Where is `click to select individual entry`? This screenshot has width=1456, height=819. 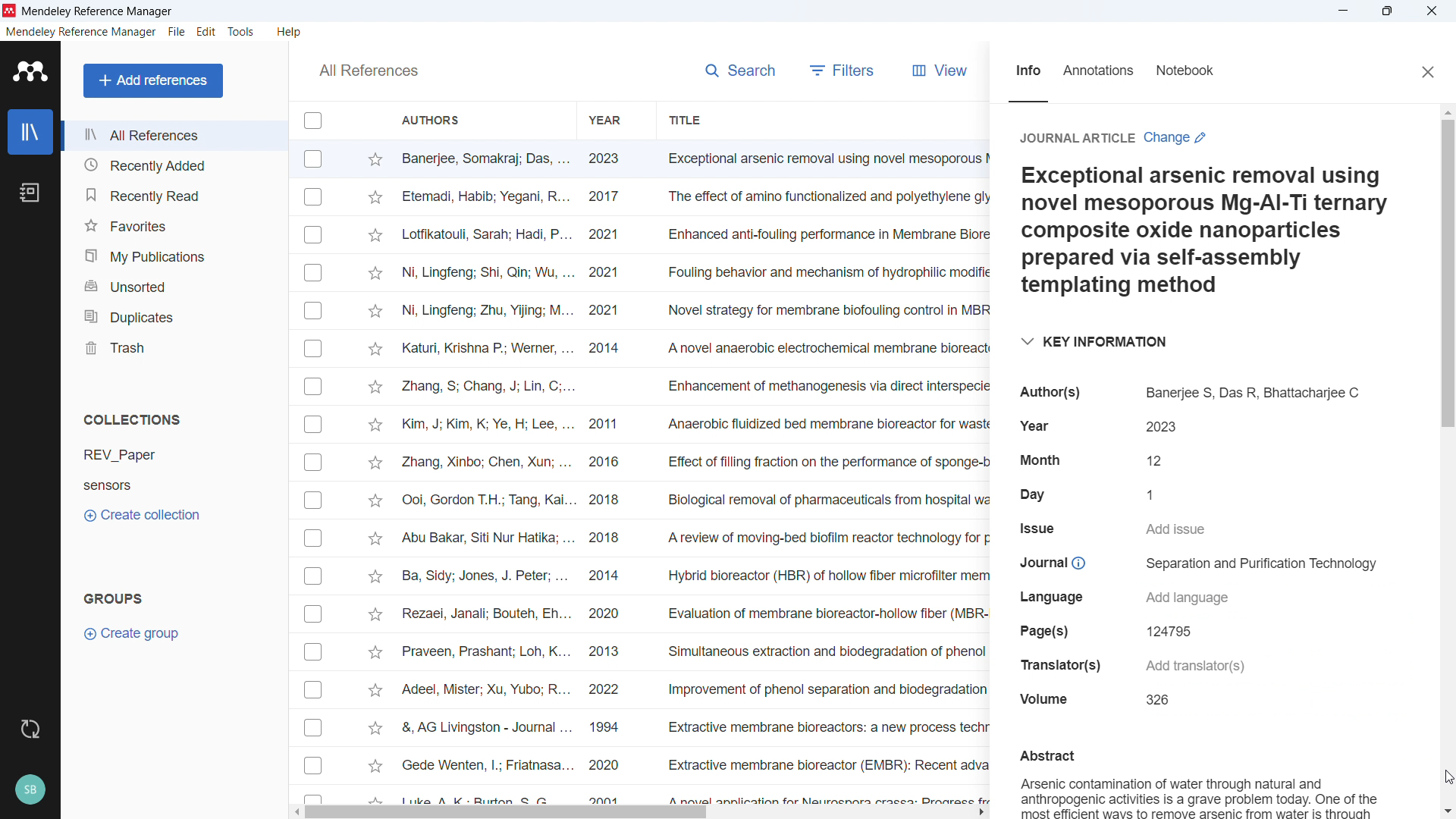
click to select individual entry is located at coordinates (315, 728).